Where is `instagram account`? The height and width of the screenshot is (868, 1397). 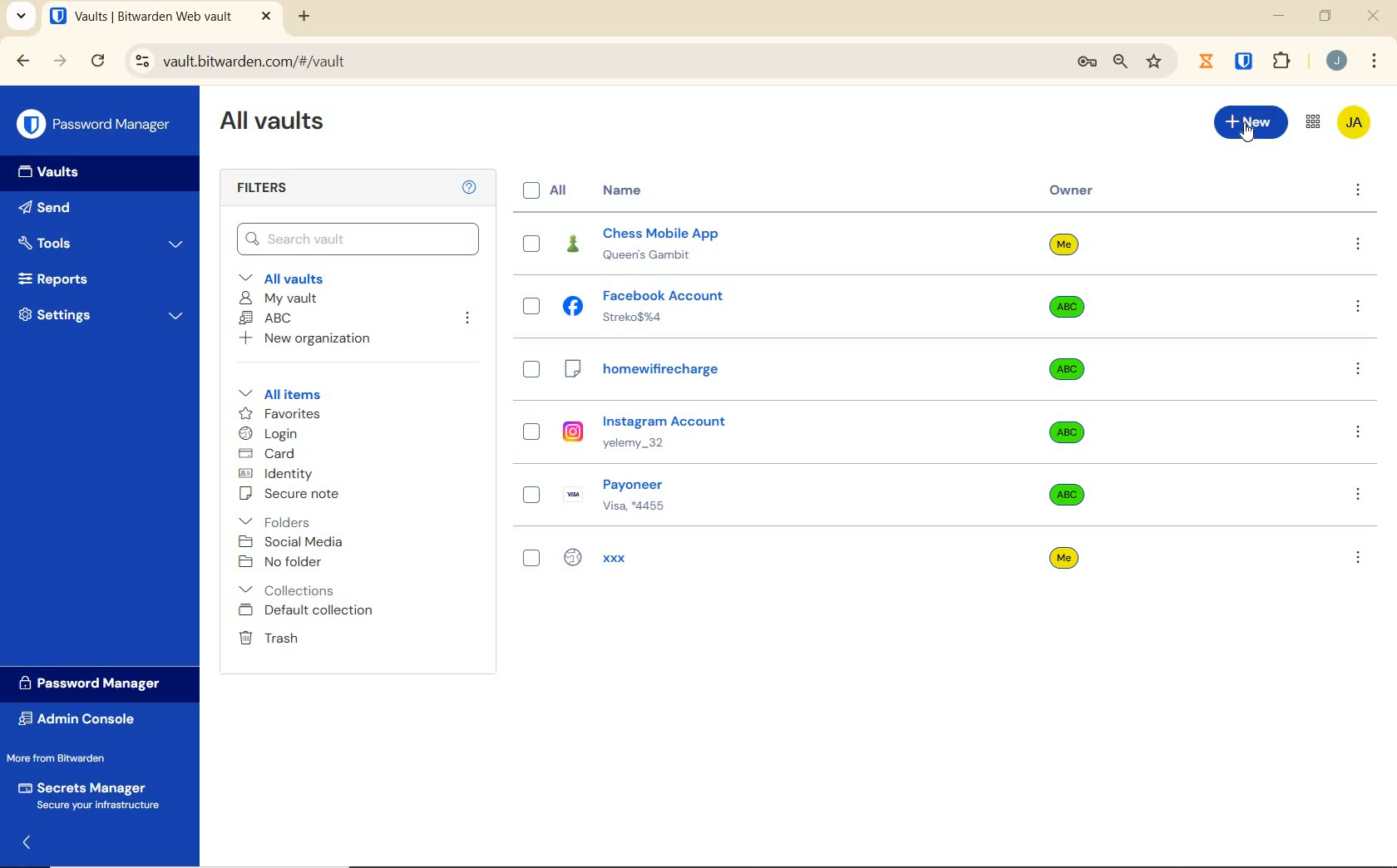
instagram account is located at coordinates (765, 432).